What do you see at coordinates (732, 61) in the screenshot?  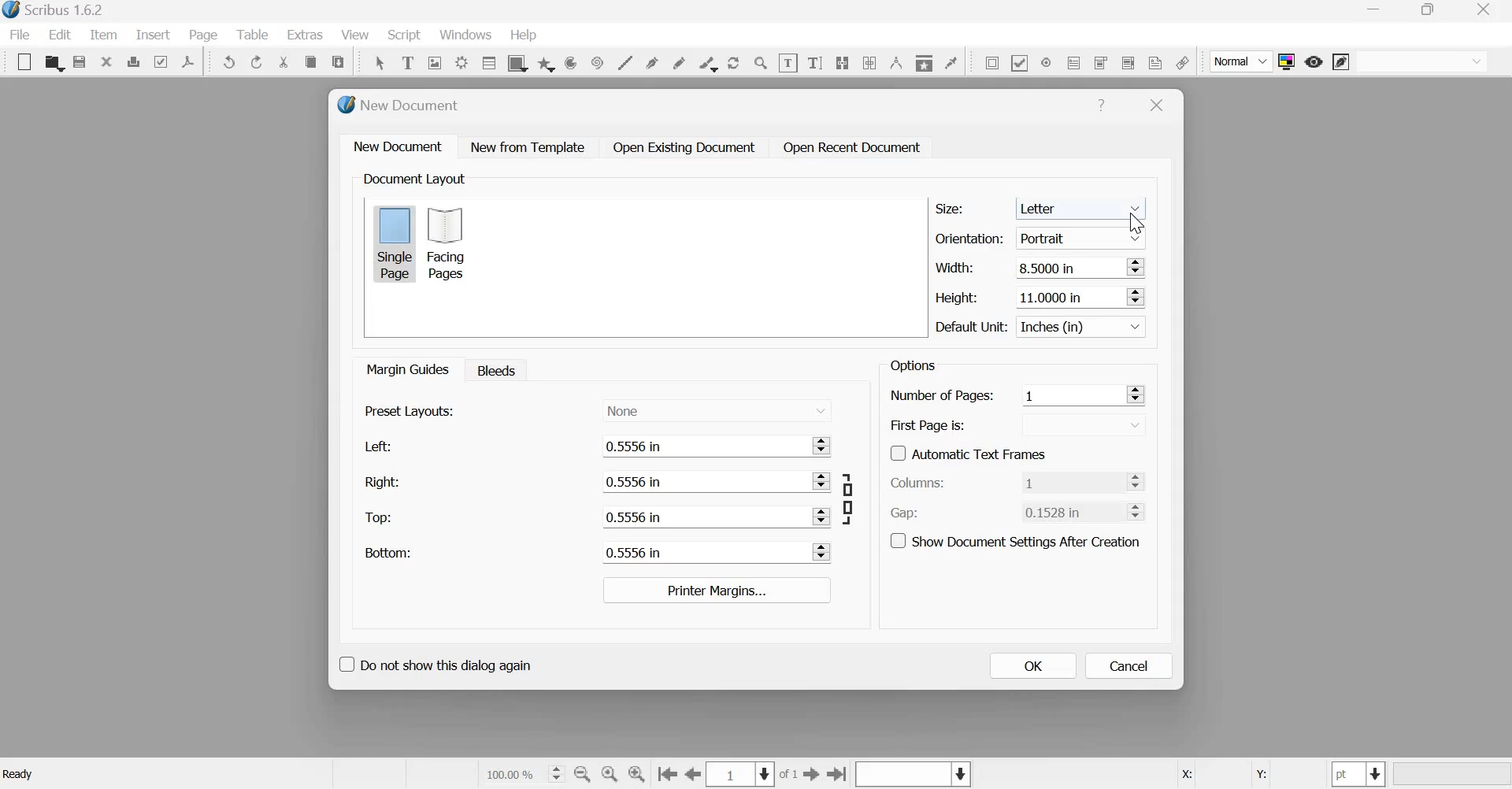 I see `rotate item` at bounding box center [732, 61].